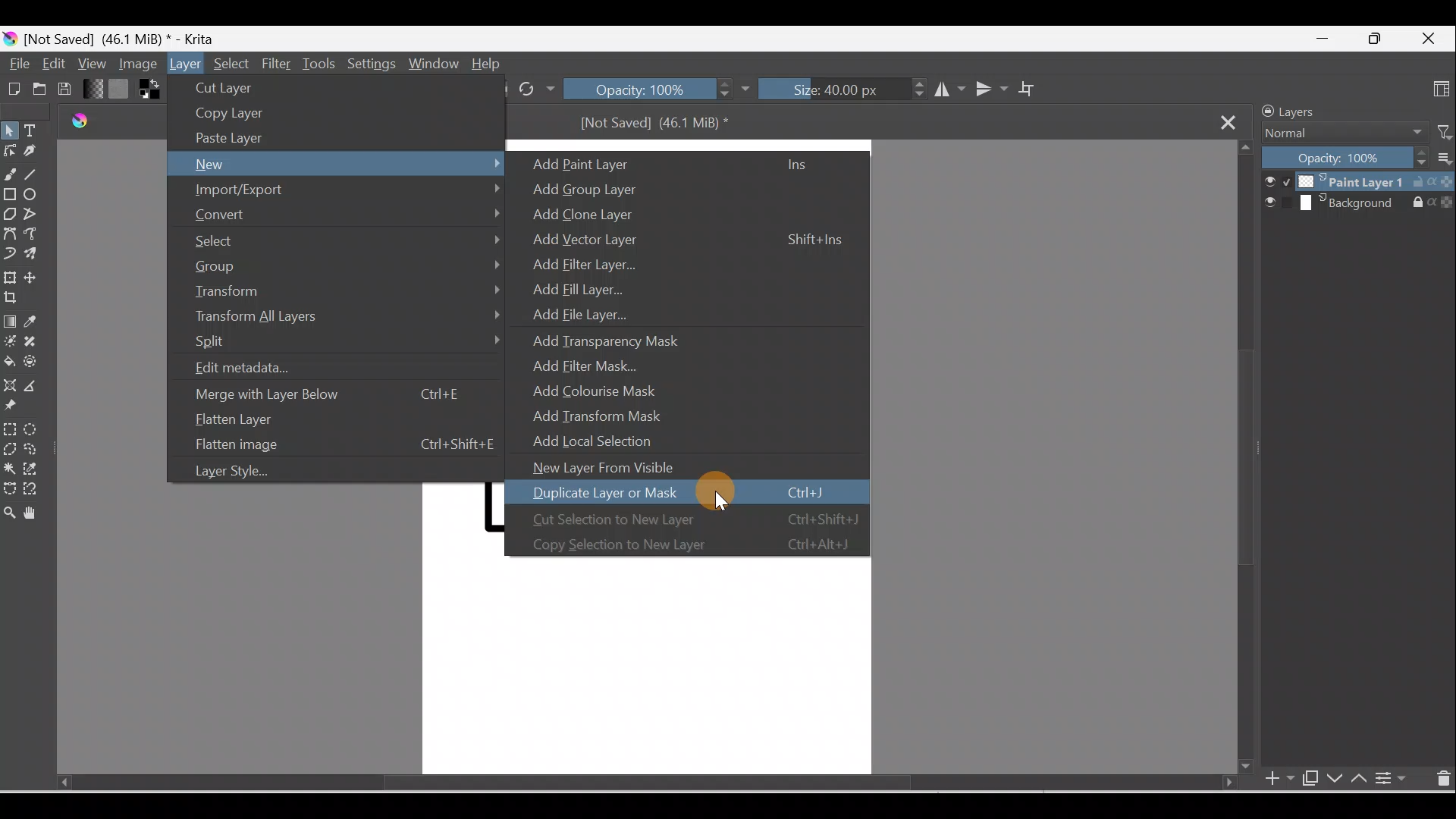  What do you see at coordinates (1375, 39) in the screenshot?
I see `Maximize` at bounding box center [1375, 39].